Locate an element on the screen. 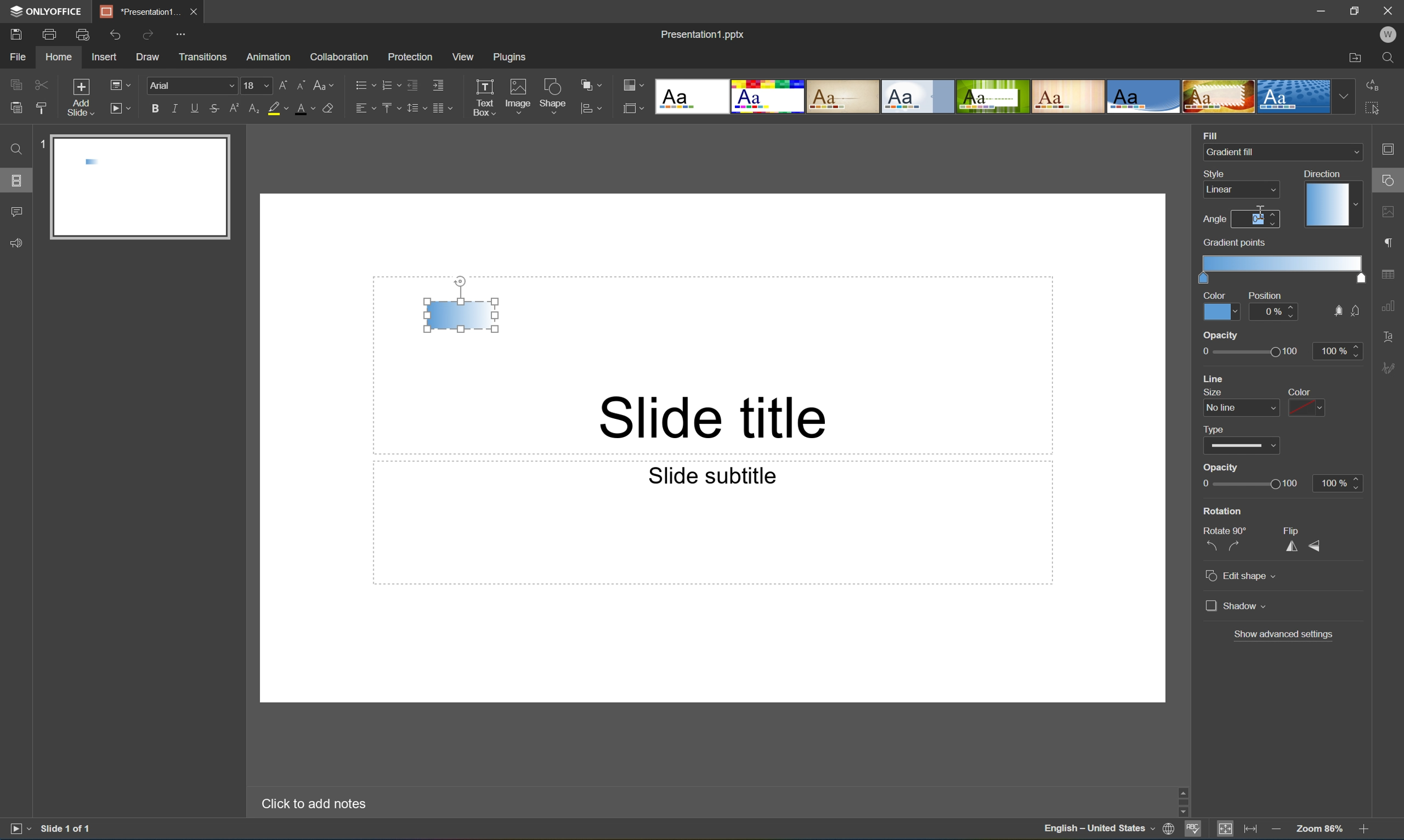  Shadow is located at coordinates (1236, 605).